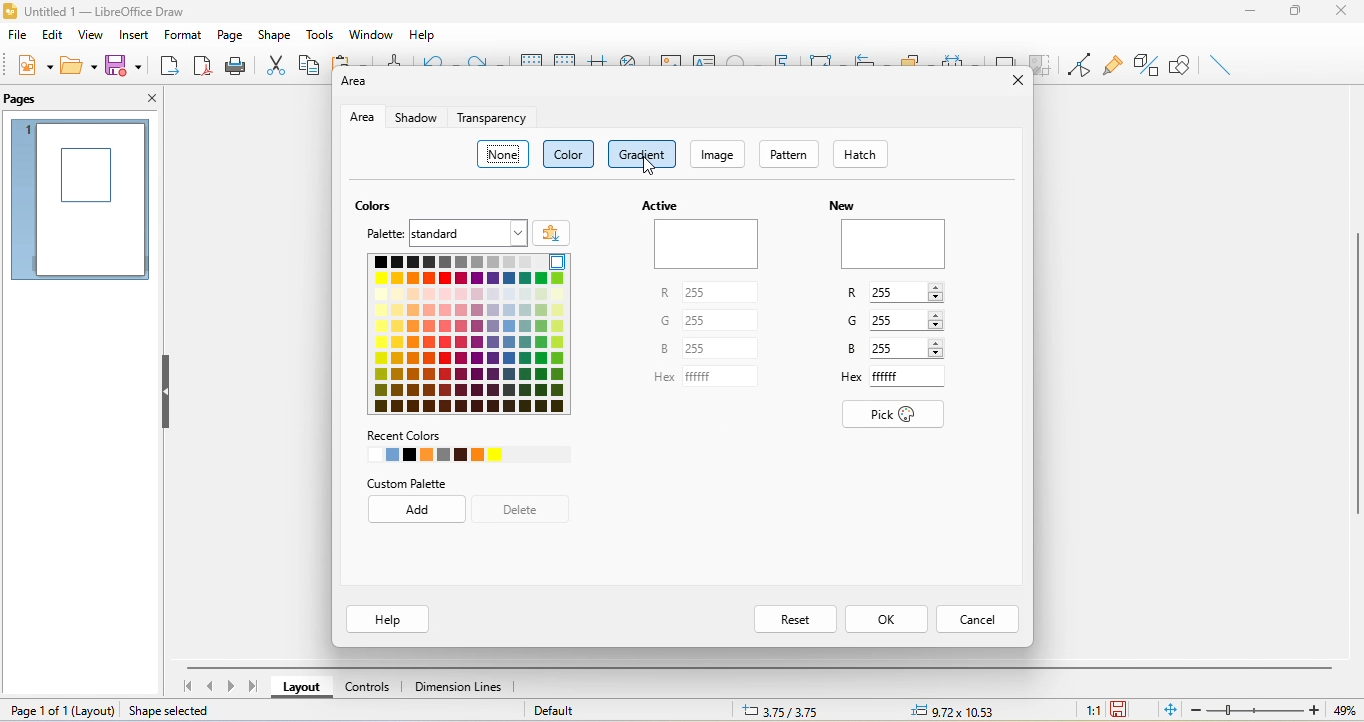 This screenshot has width=1364, height=722. Describe the element at coordinates (173, 711) in the screenshot. I see `shape selected` at that location.